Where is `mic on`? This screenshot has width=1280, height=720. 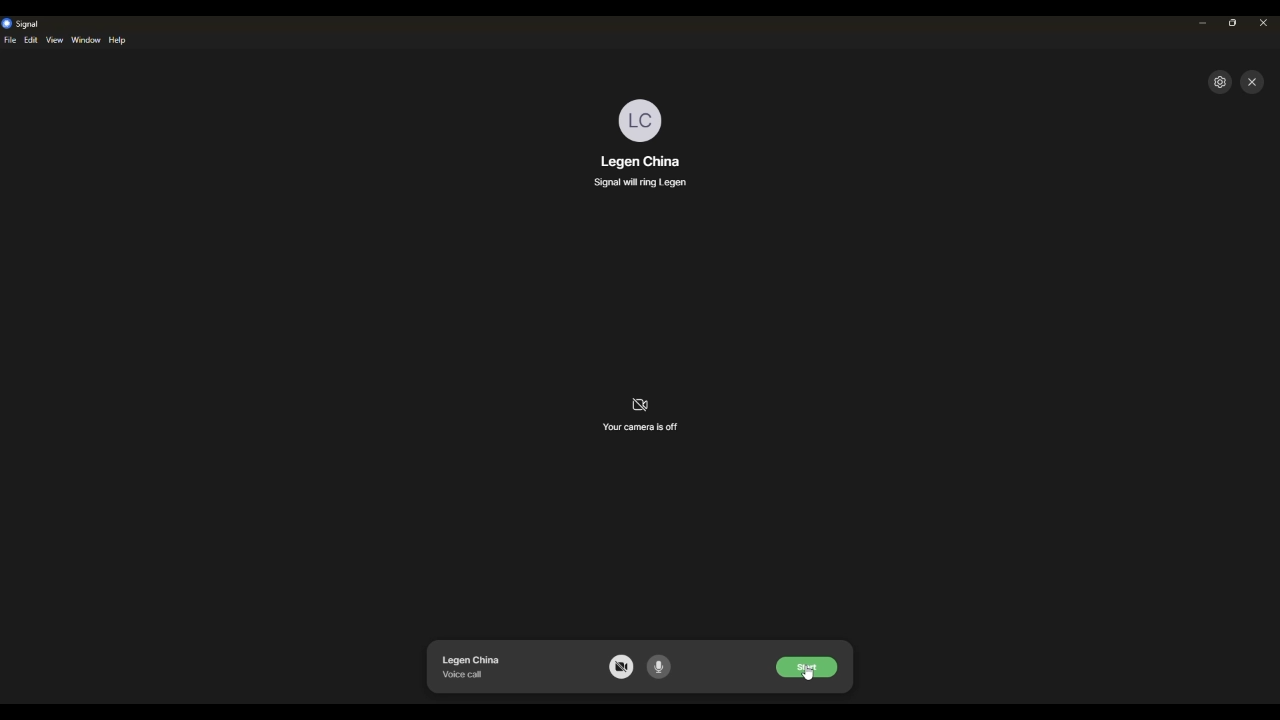
mic on is located at coordinates (662, 668).